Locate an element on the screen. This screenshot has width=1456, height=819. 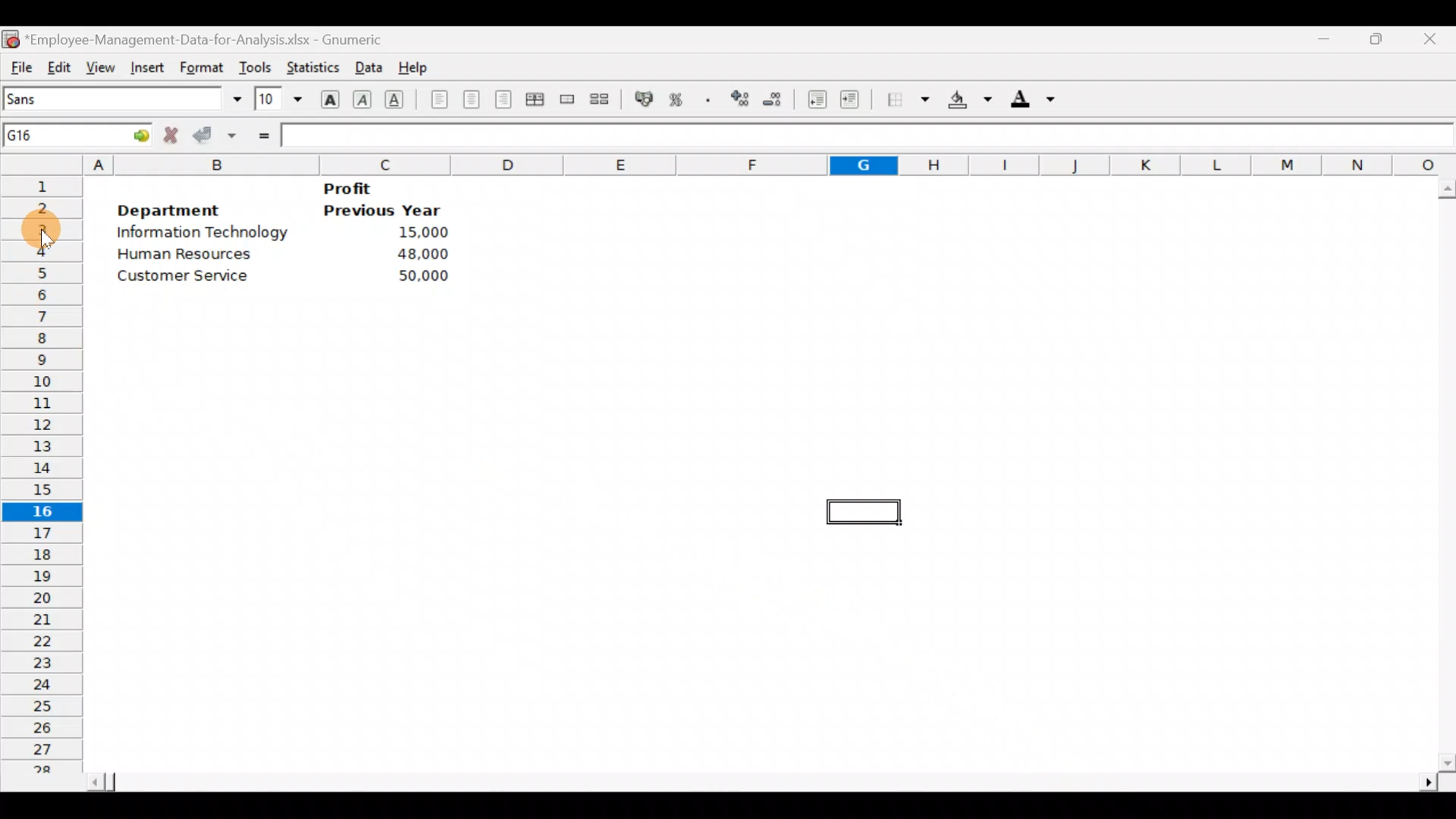
48,000 is located at coordinates (420, 254).